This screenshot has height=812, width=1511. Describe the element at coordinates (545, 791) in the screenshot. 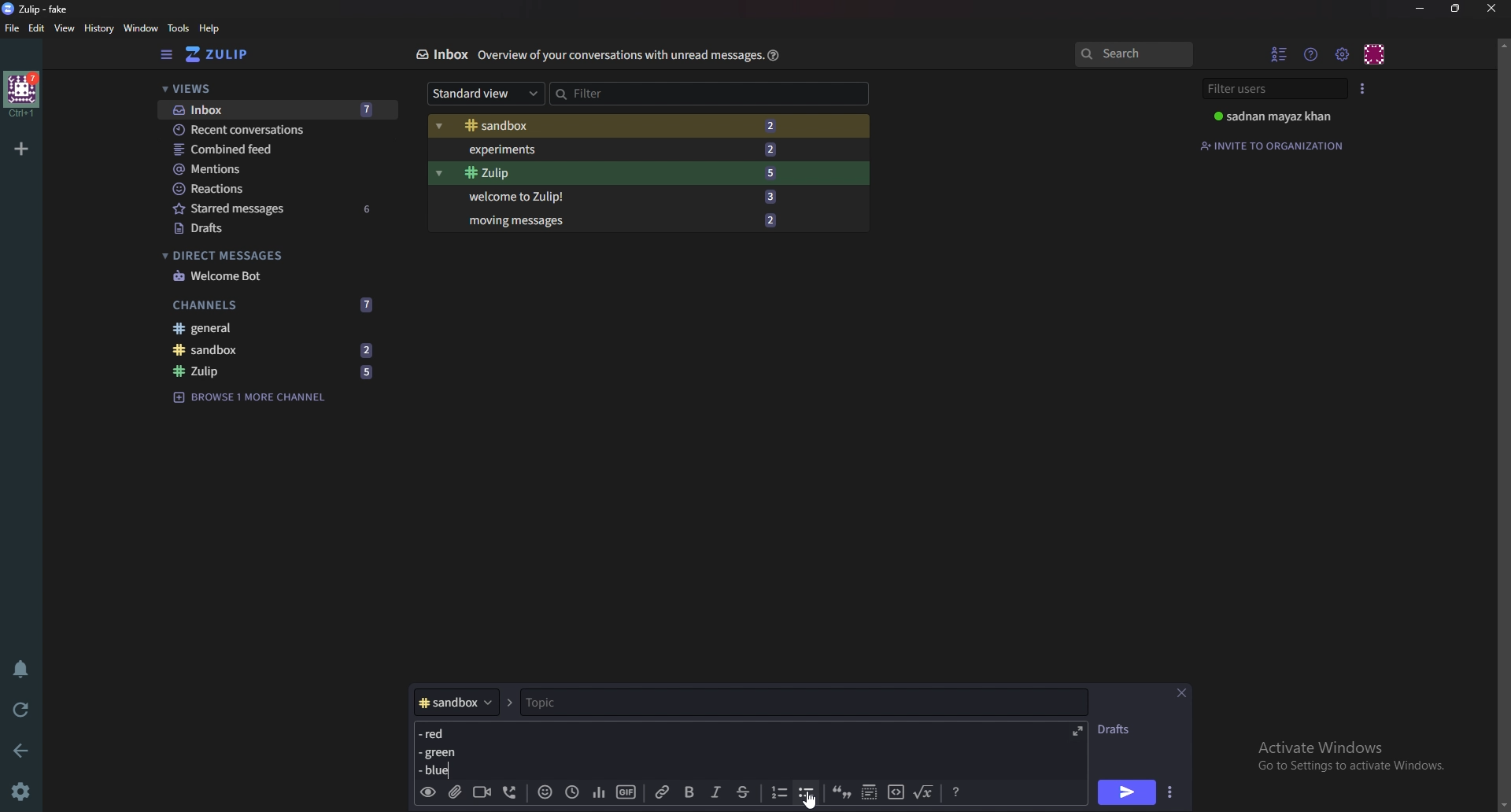

I see `Emoji` at that location.